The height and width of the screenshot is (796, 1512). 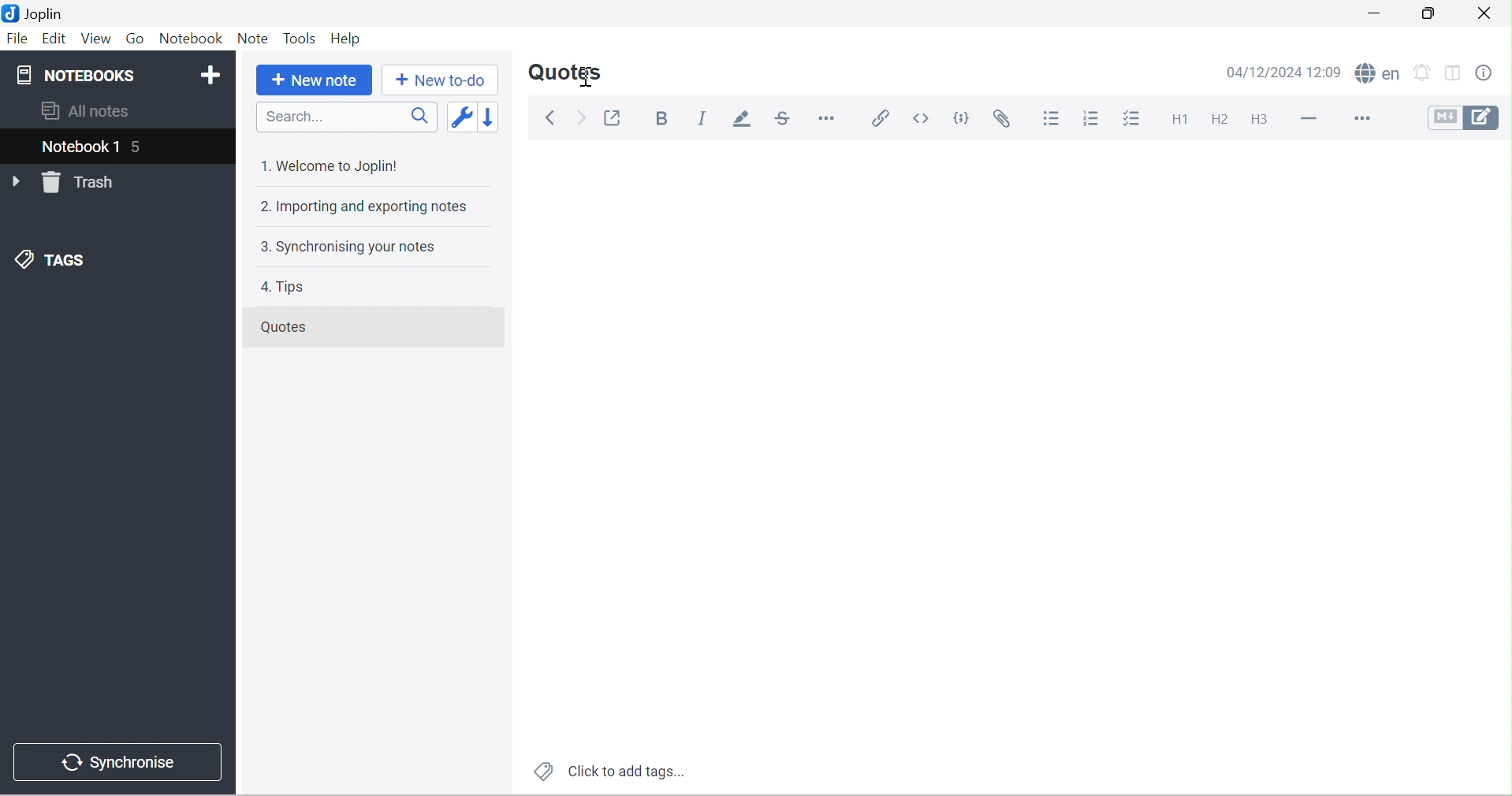 What do you see at coordinates (1376, 13) in the screenshot?
I see `Minimize` at bounding box center [1376, 13].